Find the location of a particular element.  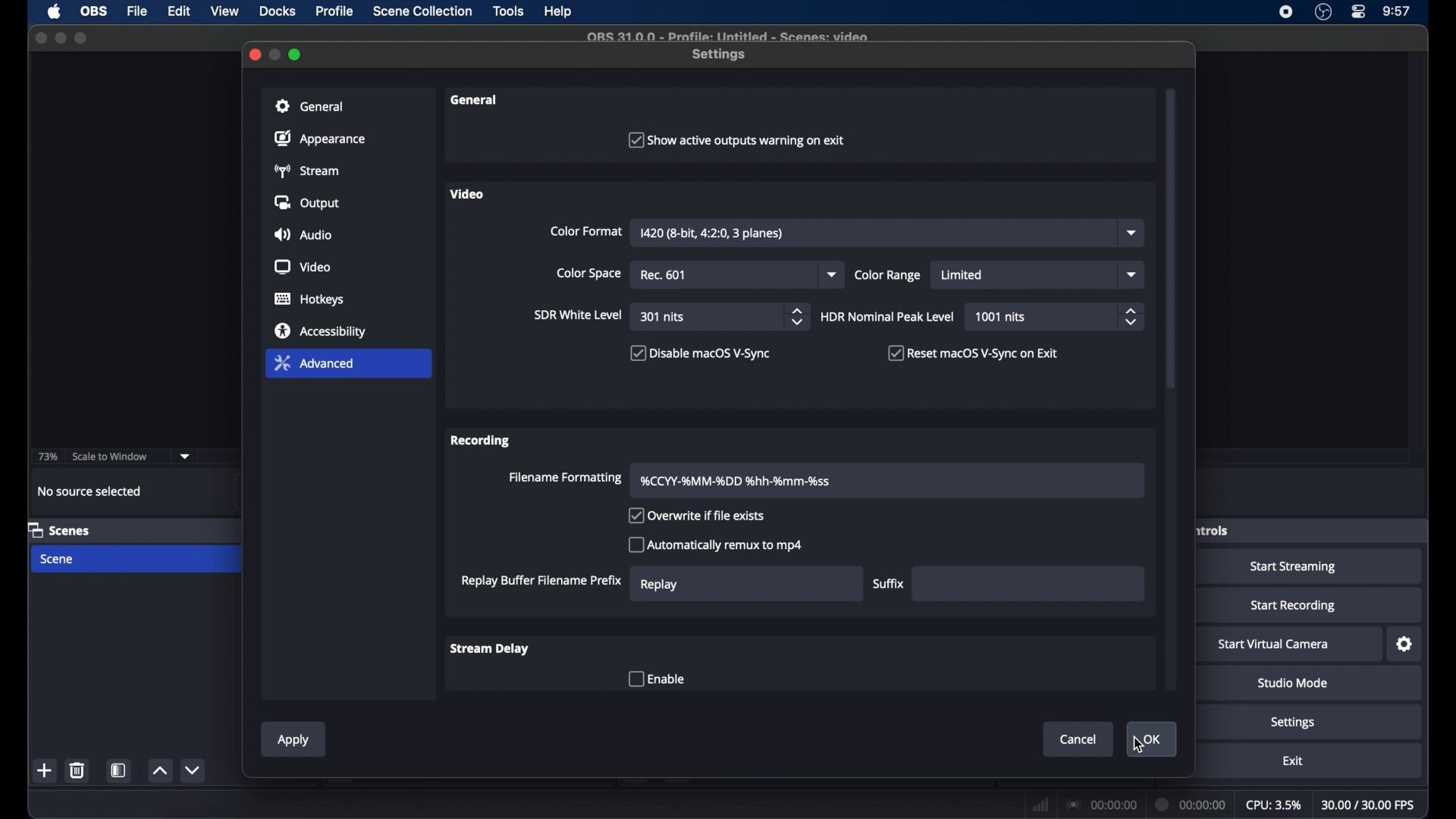

audio is located at coordinates (303, 234).